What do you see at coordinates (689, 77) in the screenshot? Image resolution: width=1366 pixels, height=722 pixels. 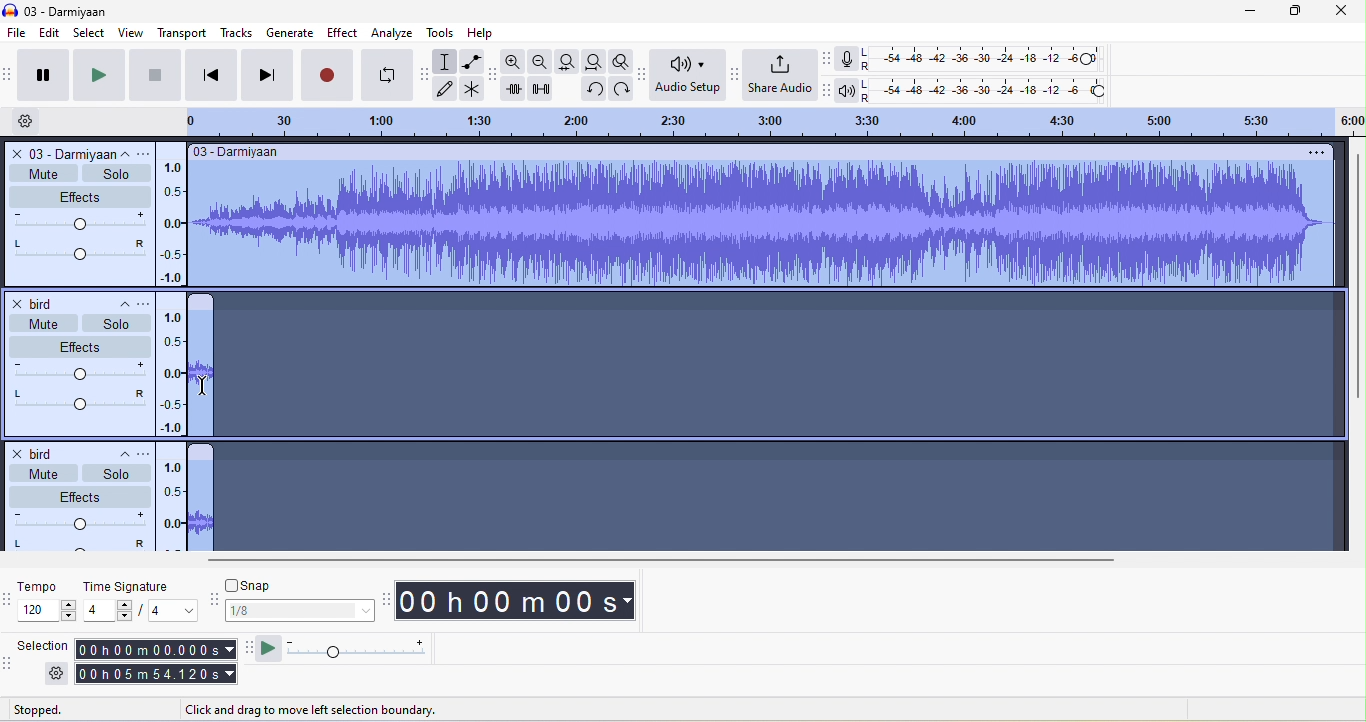 I see `audio setup` at bounding box center [689, 77].